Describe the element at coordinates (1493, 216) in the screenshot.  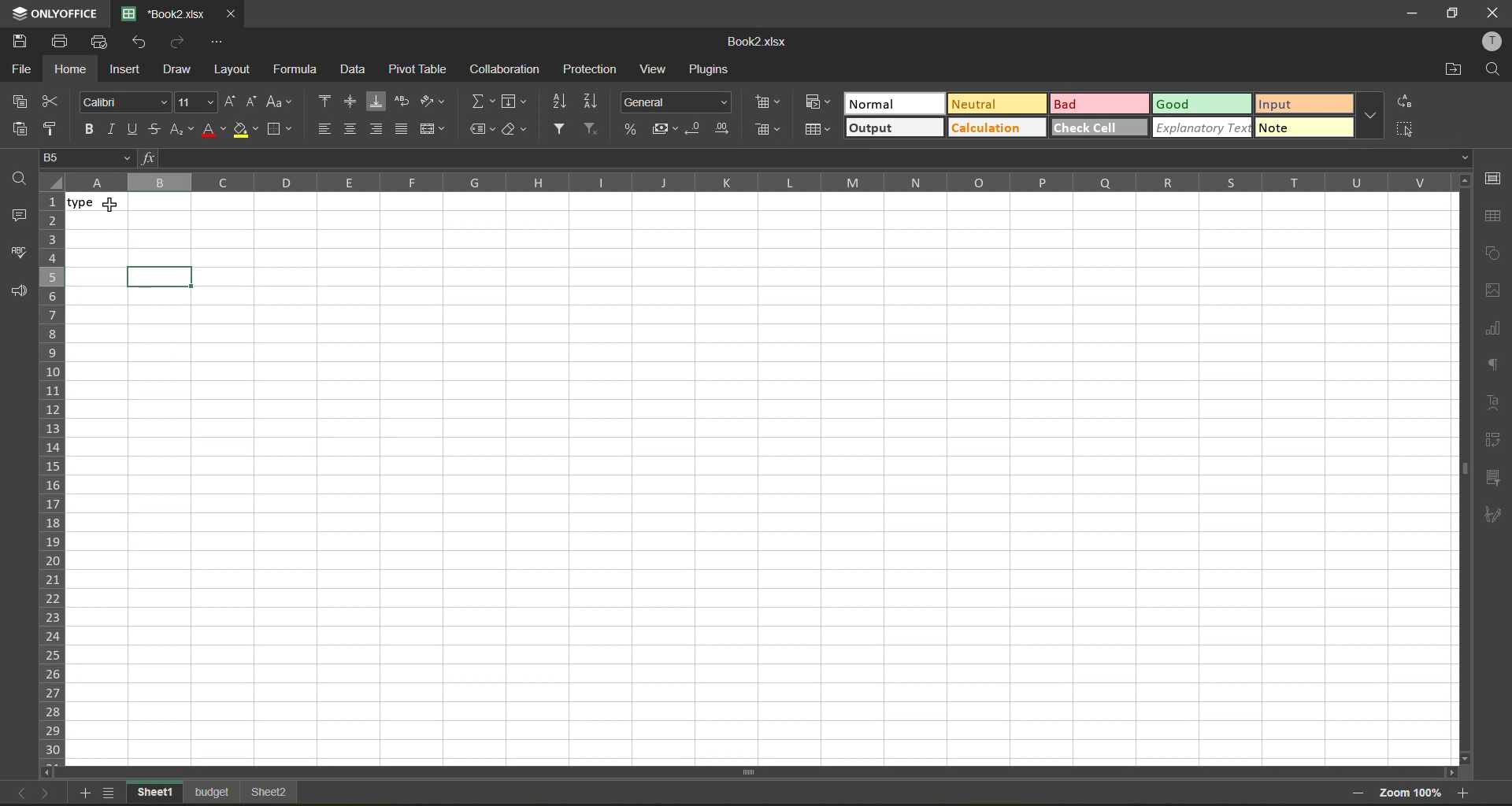
I see `table` at that location.